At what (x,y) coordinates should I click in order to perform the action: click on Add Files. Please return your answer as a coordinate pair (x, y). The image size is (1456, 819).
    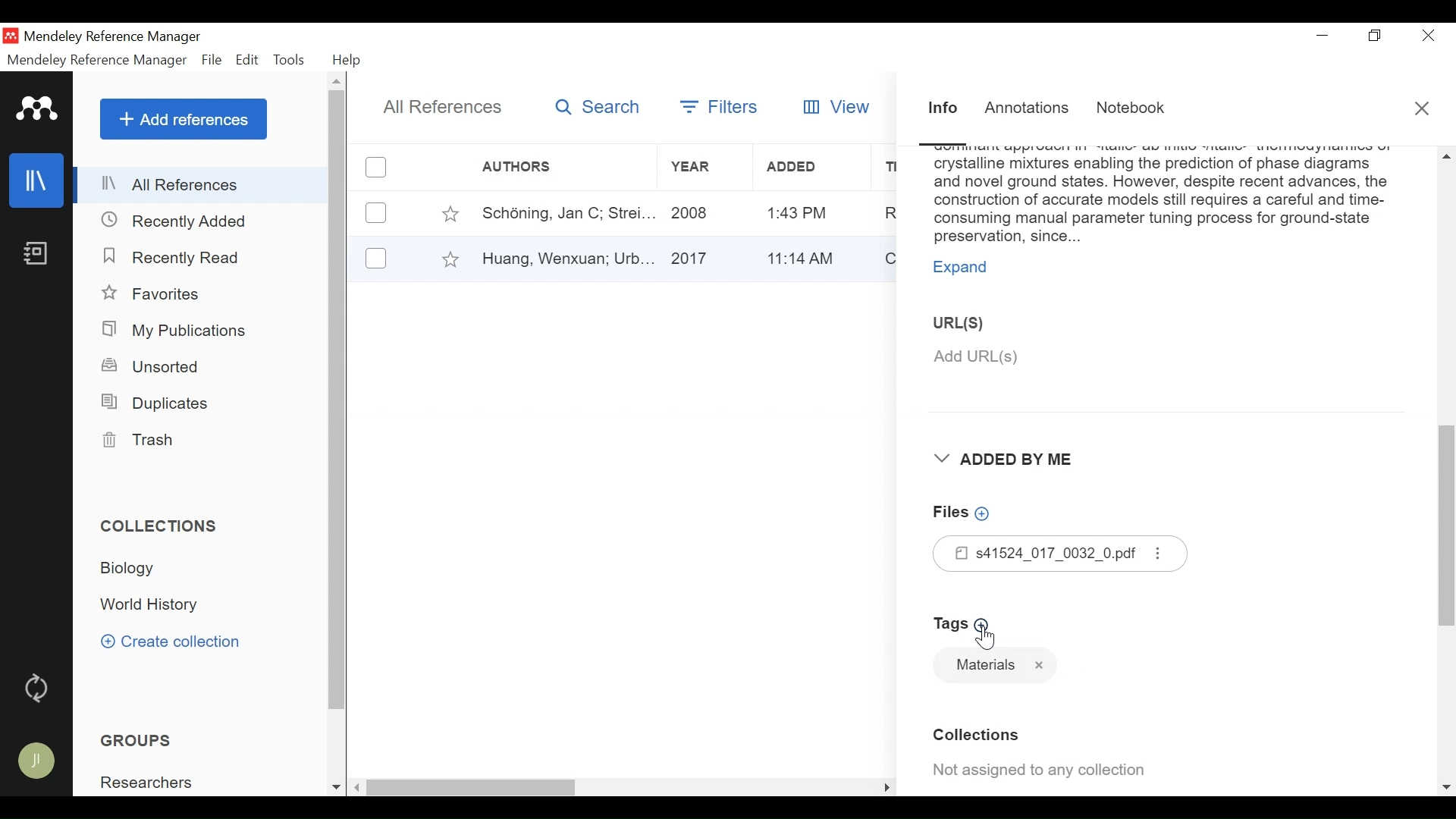
    Looking at the image, I should click on (964, 513).